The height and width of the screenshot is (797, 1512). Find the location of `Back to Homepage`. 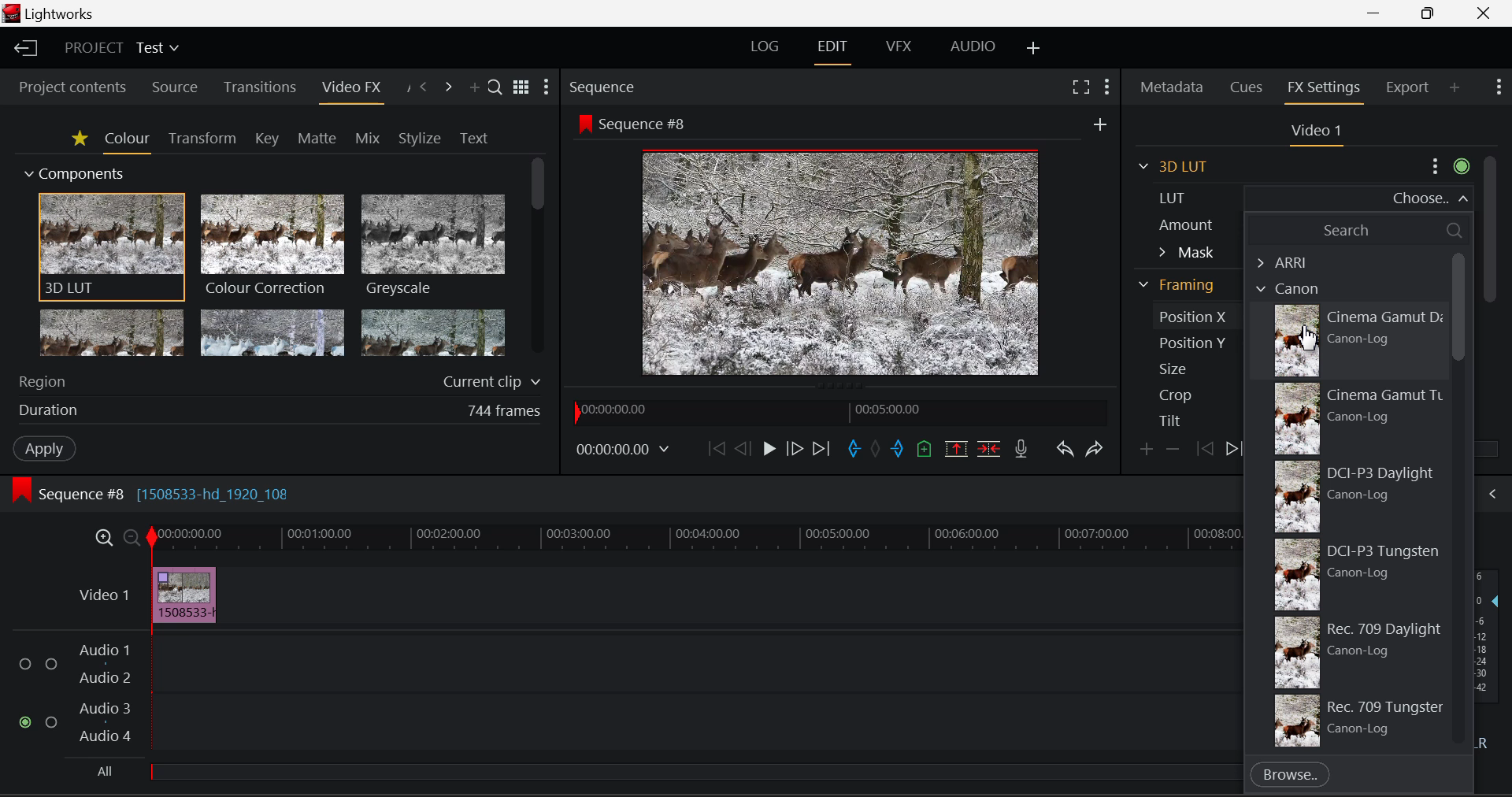

Back to Homepage is located at coordinates (22, 48).